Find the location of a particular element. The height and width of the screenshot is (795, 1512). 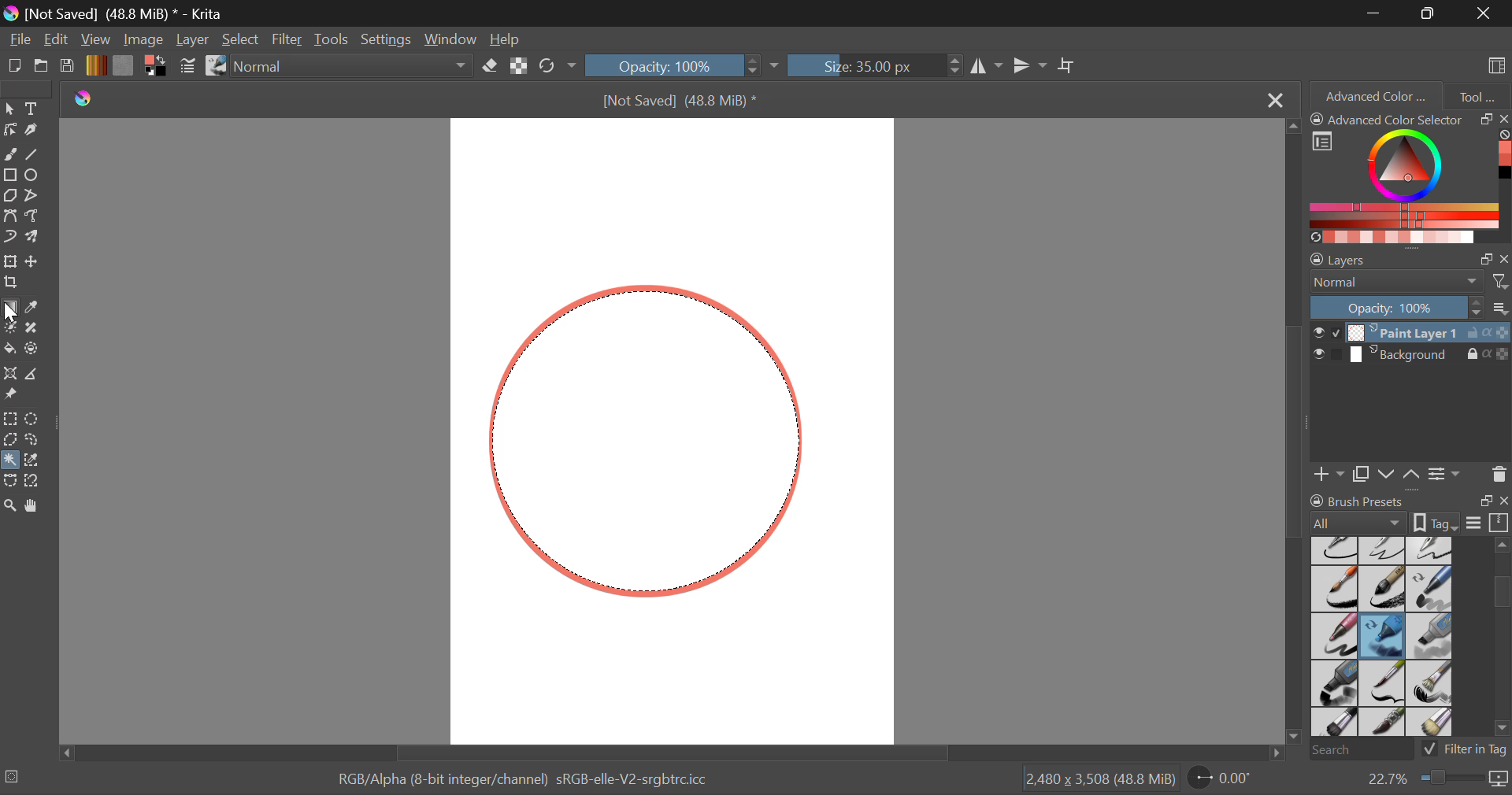

Bristles-1 Details is located at coordinates (1383, 682).